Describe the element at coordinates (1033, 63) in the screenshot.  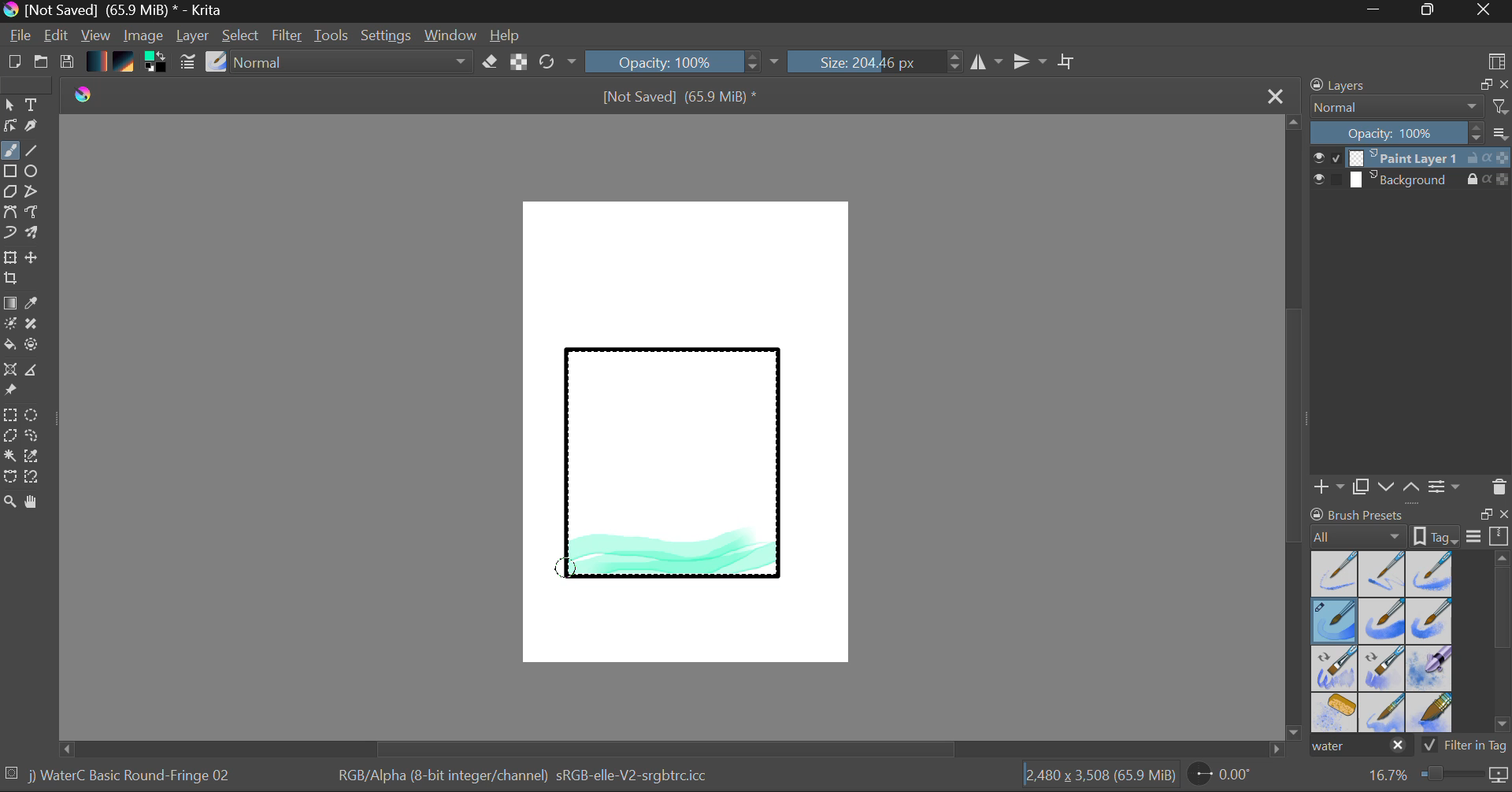
I see `Horizontal Mirror Flip` at that location.